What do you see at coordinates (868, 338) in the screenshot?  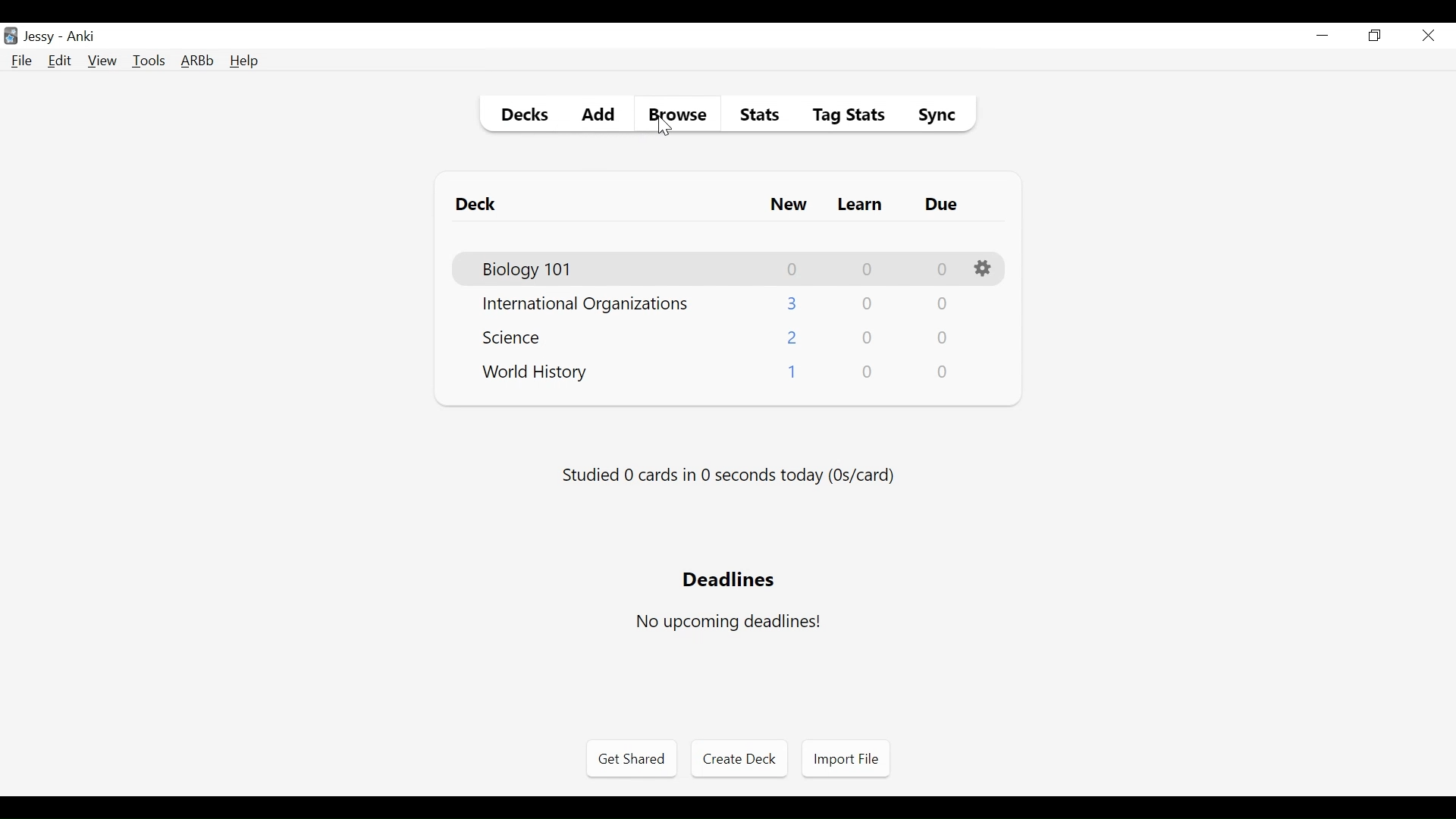 I see `Learn Card Count` at bounding box center [868, 338].